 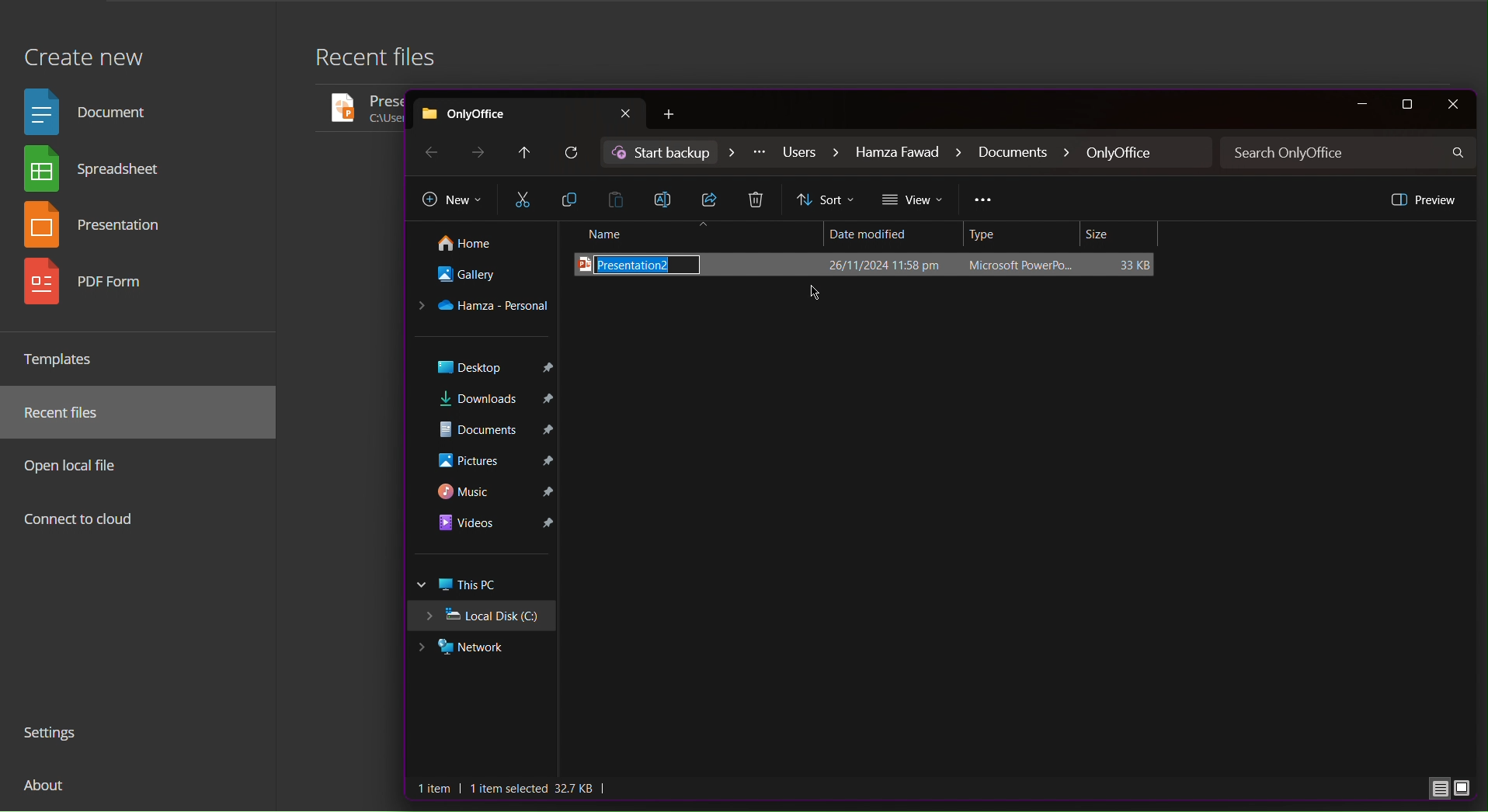 What do you see at coordinates (478, 649) in the screenshot?
I see `network` at bounding box center [478, 649].